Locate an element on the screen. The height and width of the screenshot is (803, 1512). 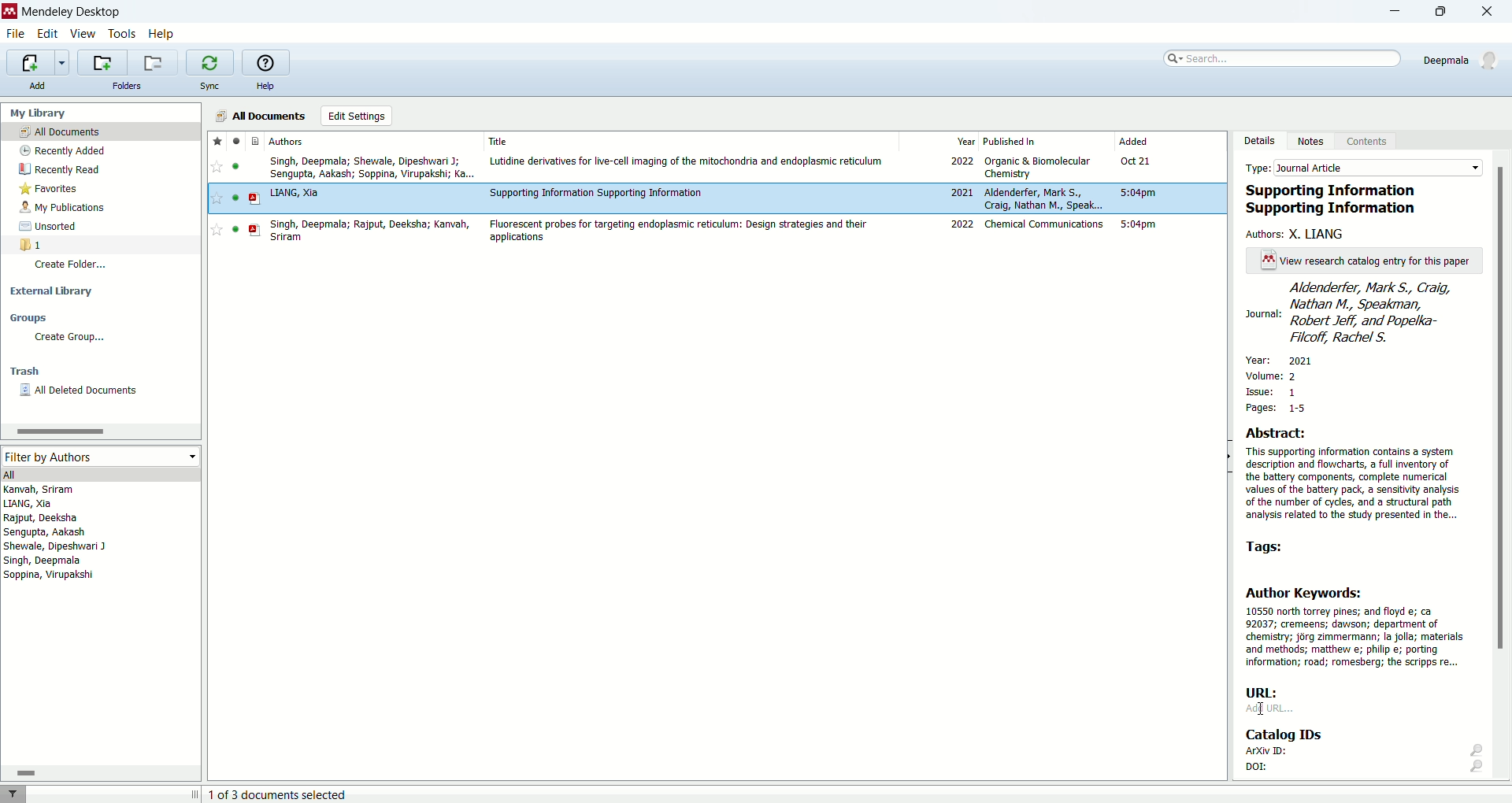
Lutidine derivatives for live-cell imaging of the mitochondria and endoplasmic reticulum is located at coordinates (687, 161).